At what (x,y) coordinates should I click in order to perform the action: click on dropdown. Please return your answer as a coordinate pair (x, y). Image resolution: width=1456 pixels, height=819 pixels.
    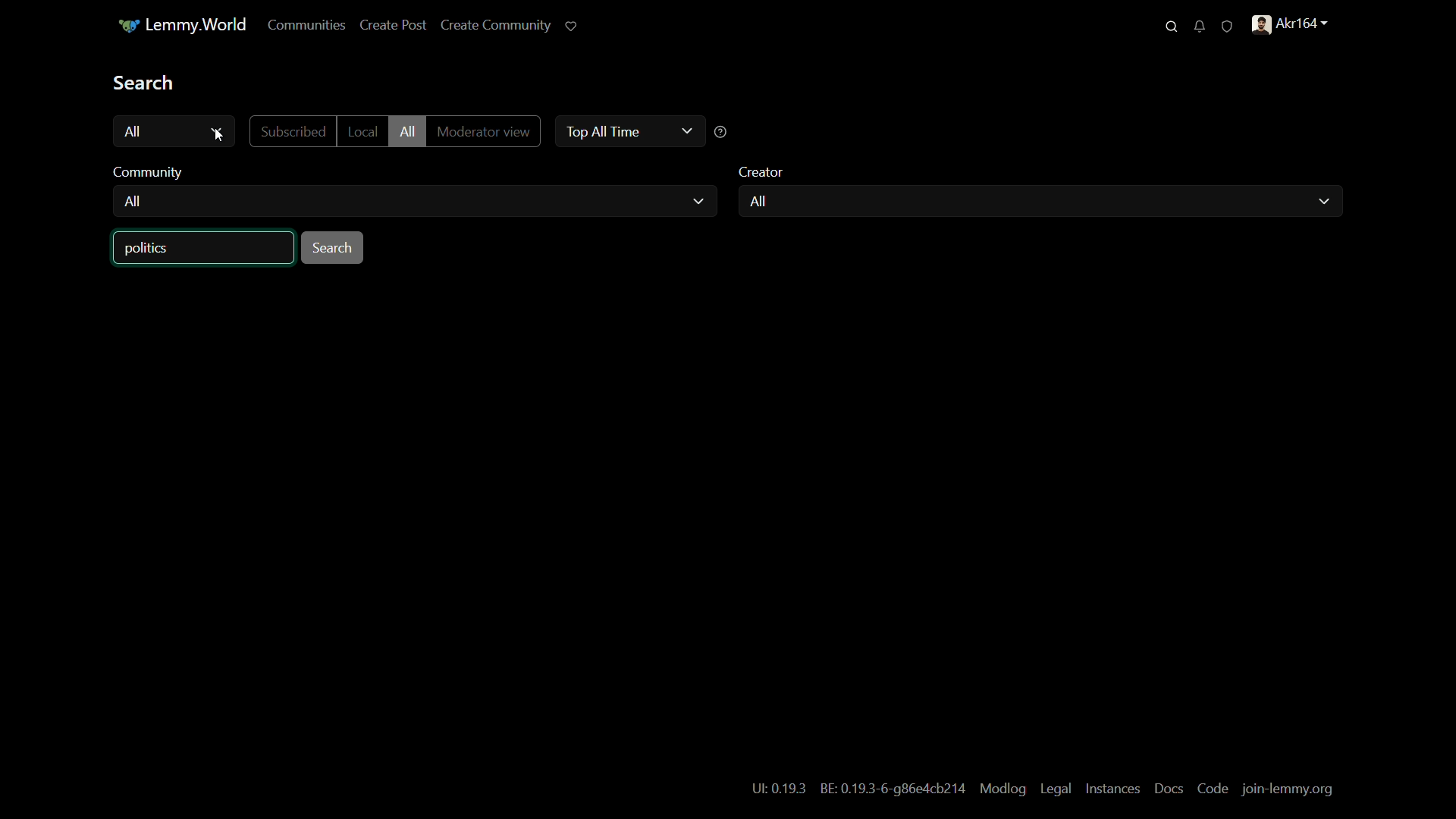
    Looking at the image, I should click on (698, 202).